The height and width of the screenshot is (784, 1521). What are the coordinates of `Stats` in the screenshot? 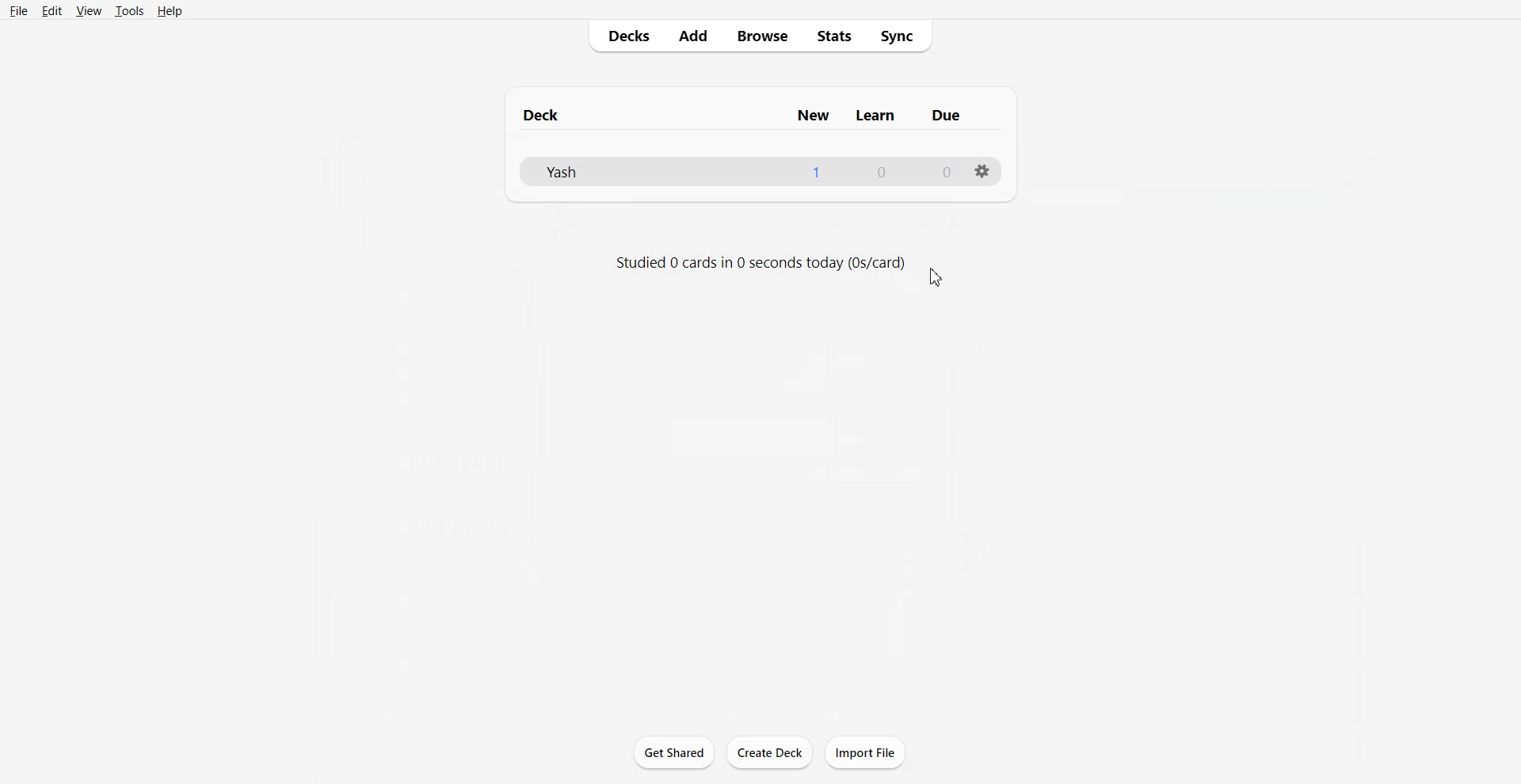 It's located at (834, 36).